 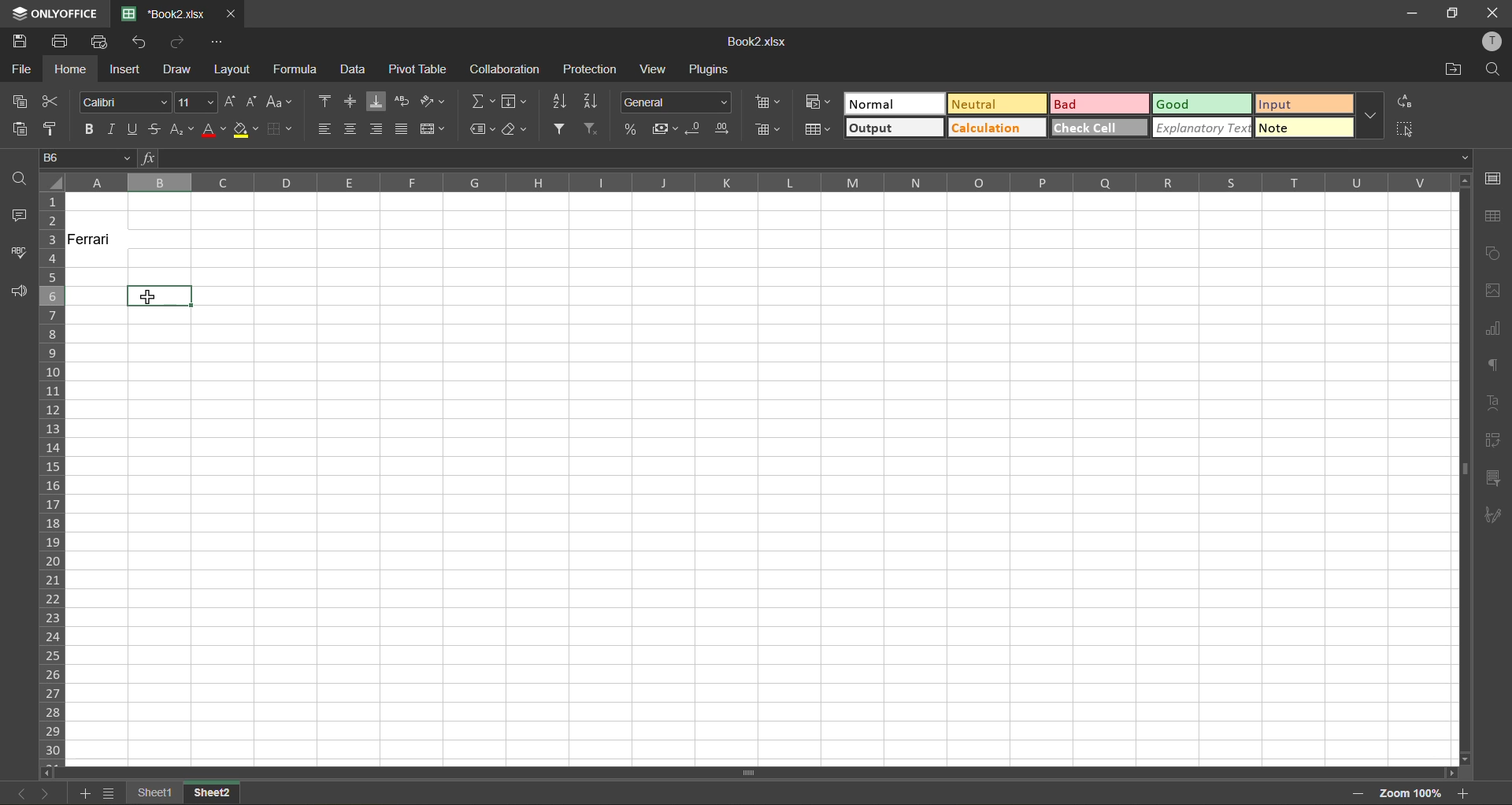 I want to click on signature, so click(x=1492, y=518).